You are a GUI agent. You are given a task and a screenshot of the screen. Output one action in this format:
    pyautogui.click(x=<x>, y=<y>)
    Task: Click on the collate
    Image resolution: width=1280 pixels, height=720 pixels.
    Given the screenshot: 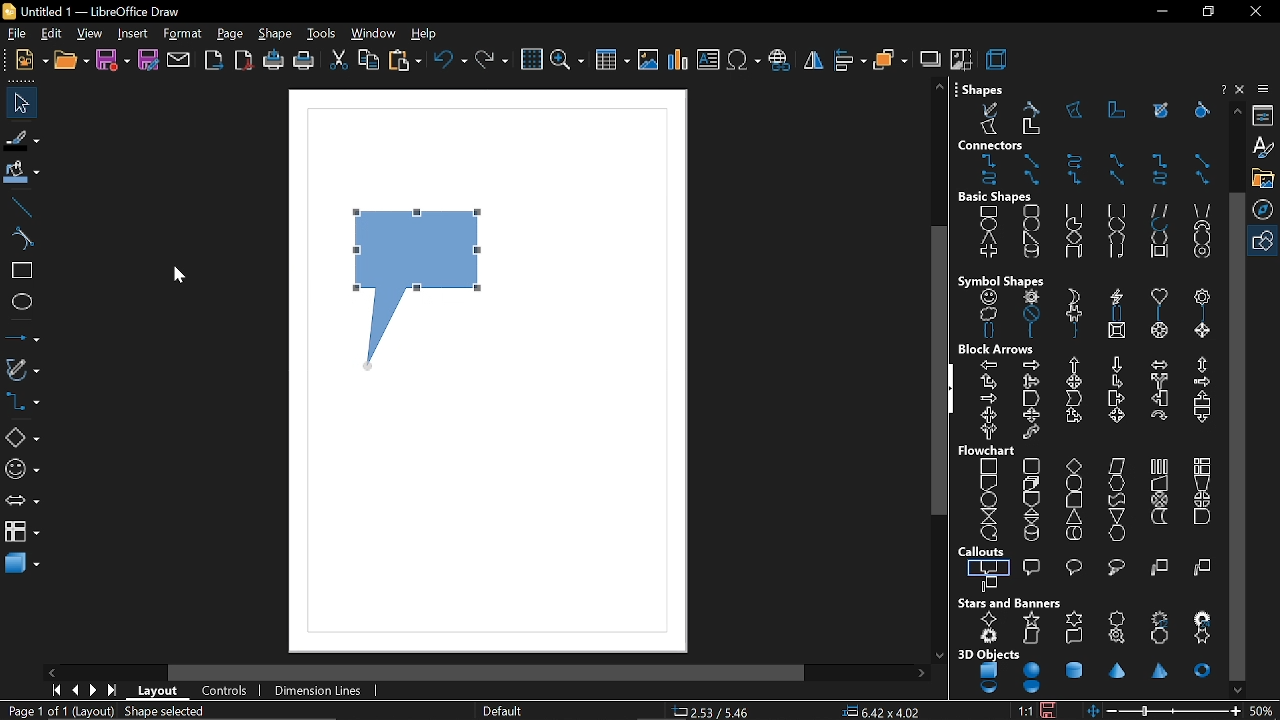 What is the action you would take?
    pyautogui.click(x=986, y=516)
    